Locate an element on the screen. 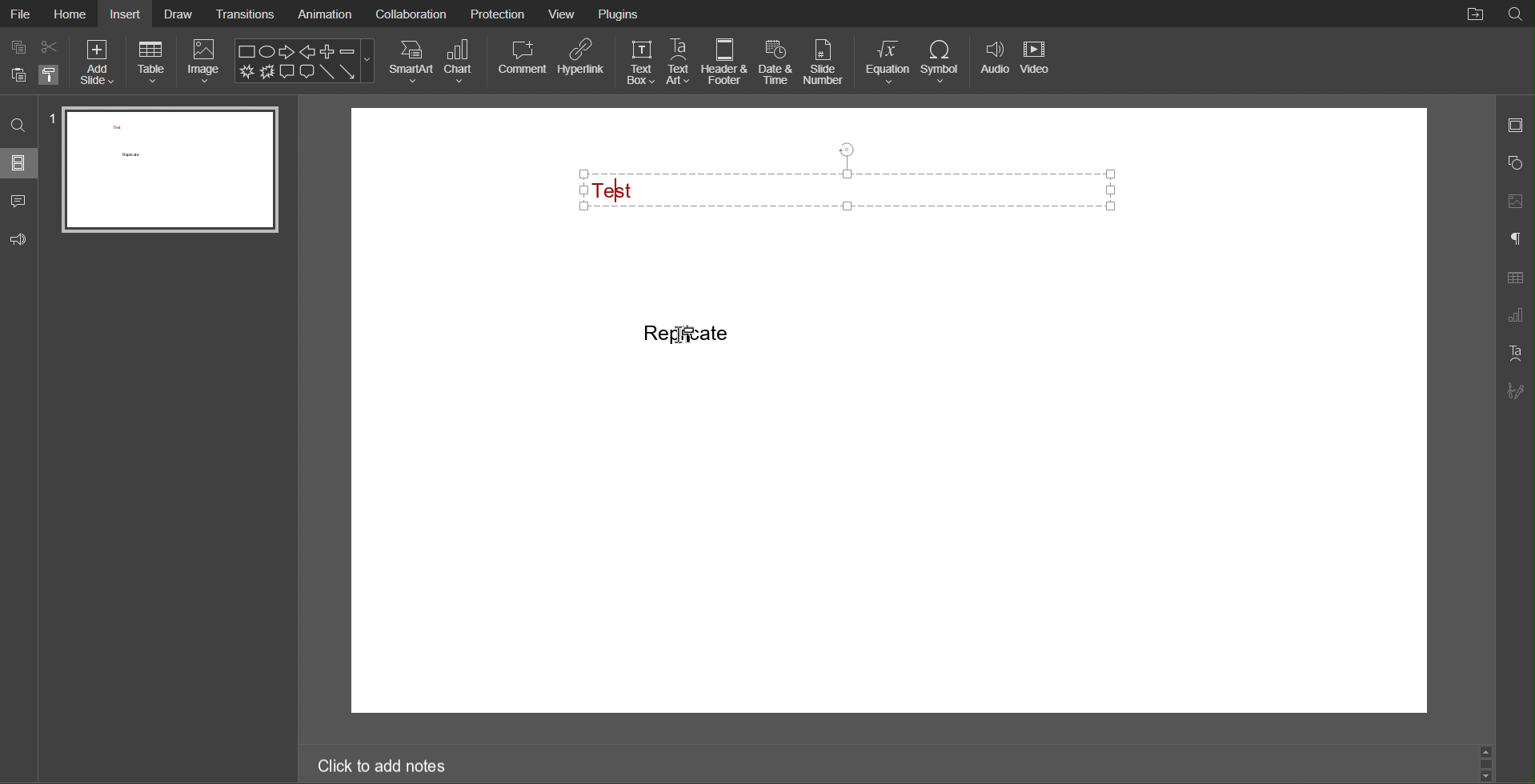  Cut Copy Paste Options is located at coordinates (35, 63).